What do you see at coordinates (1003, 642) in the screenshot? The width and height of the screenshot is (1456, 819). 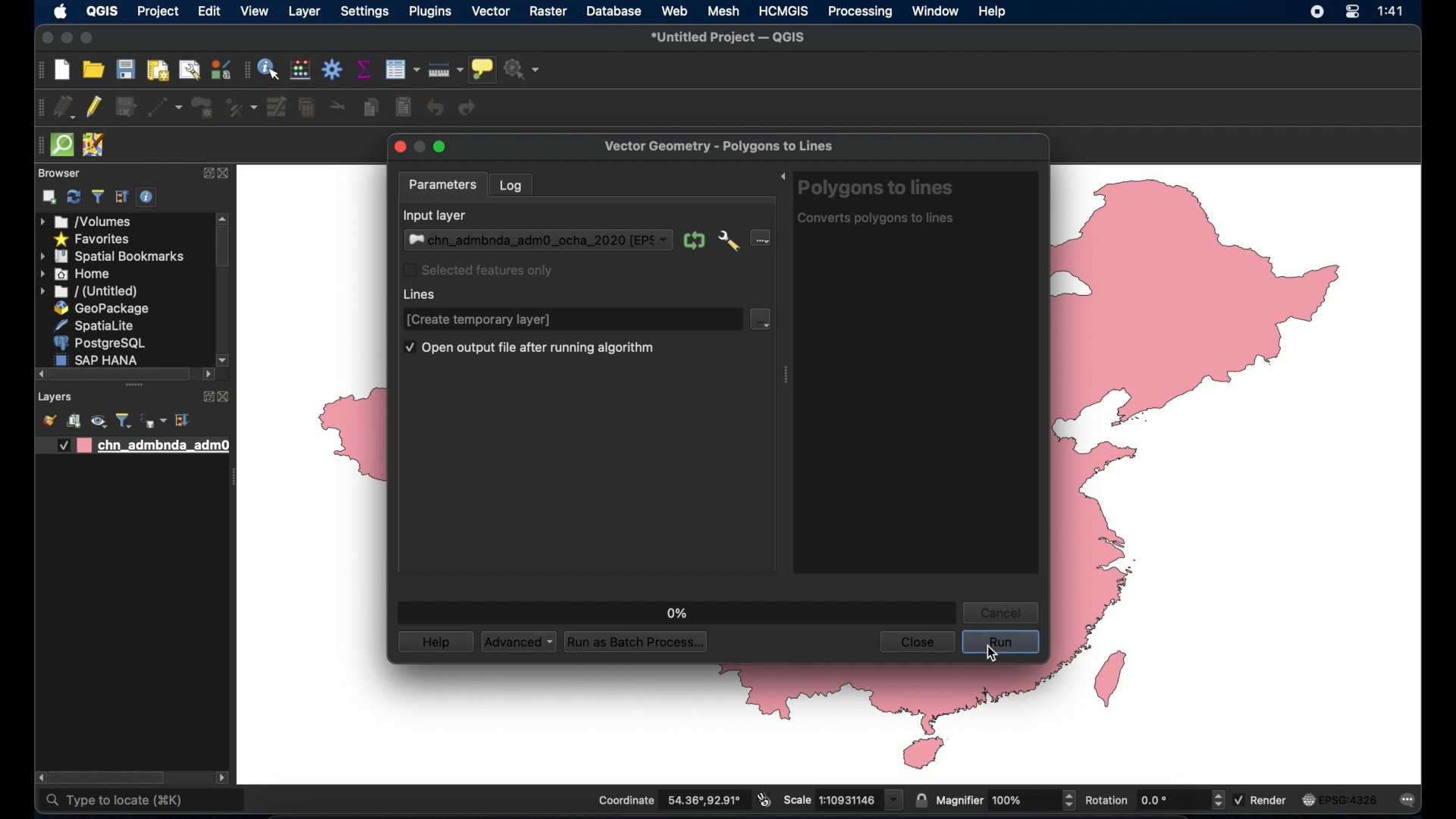 I see `run` at bounding box center [1003, 642].